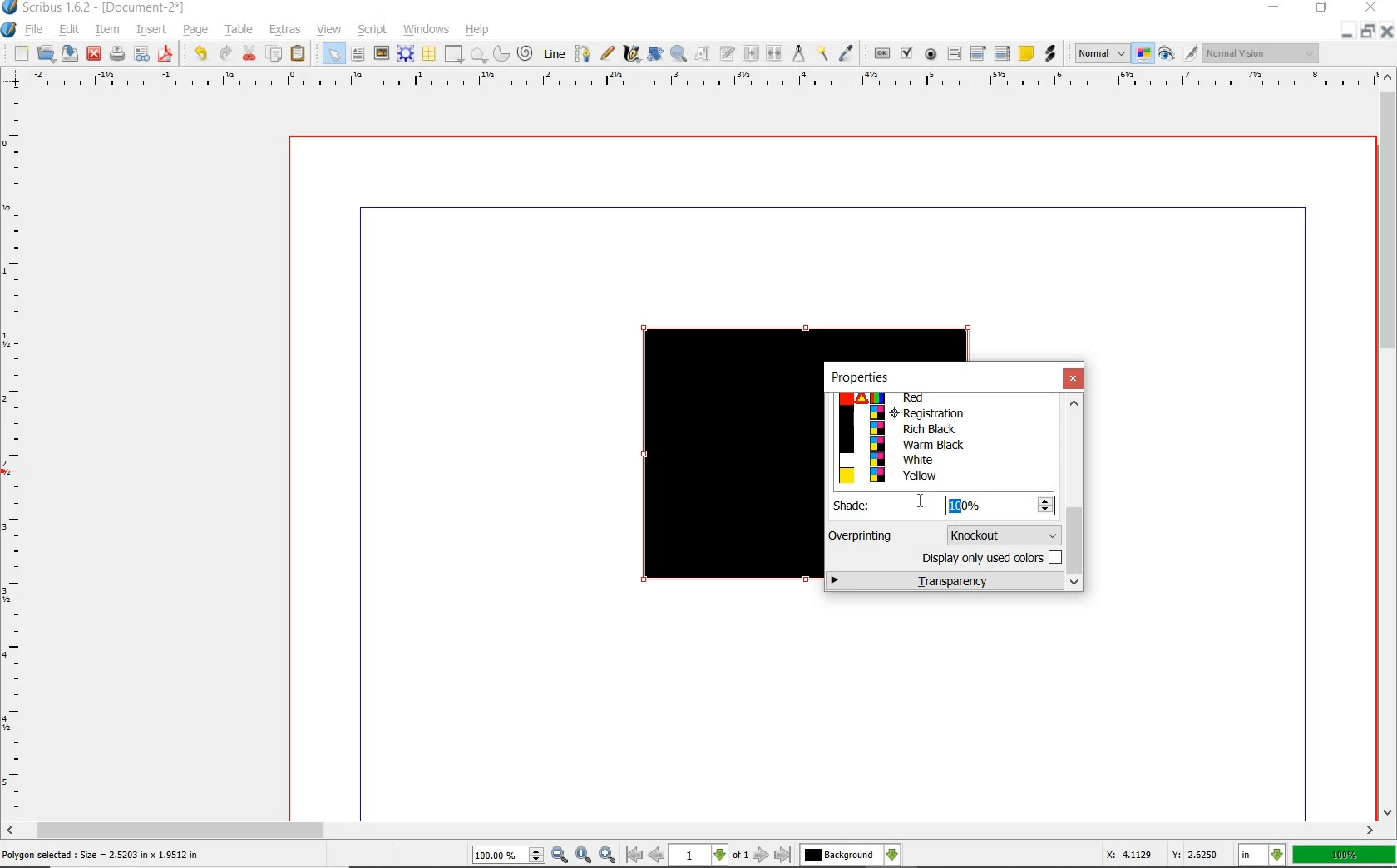  Describe the element at coordinates (1345, 36) in the screenshot. I see `MINIMIZE` at that location.